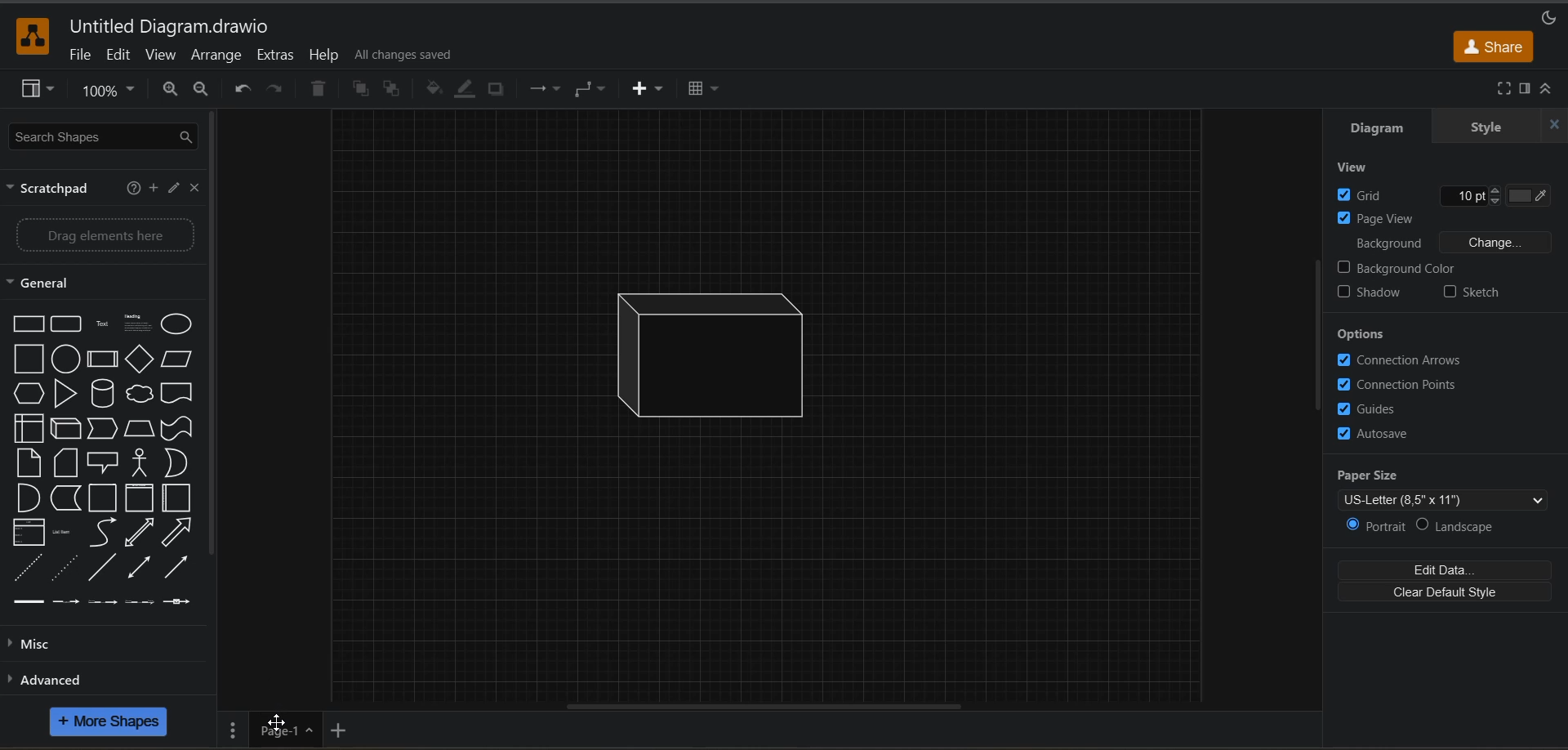 The image size is (1568, 750). What do you see at coordinates (1557, 124) in the screenshot?
I see `close` at bounding box center [1557, 124].